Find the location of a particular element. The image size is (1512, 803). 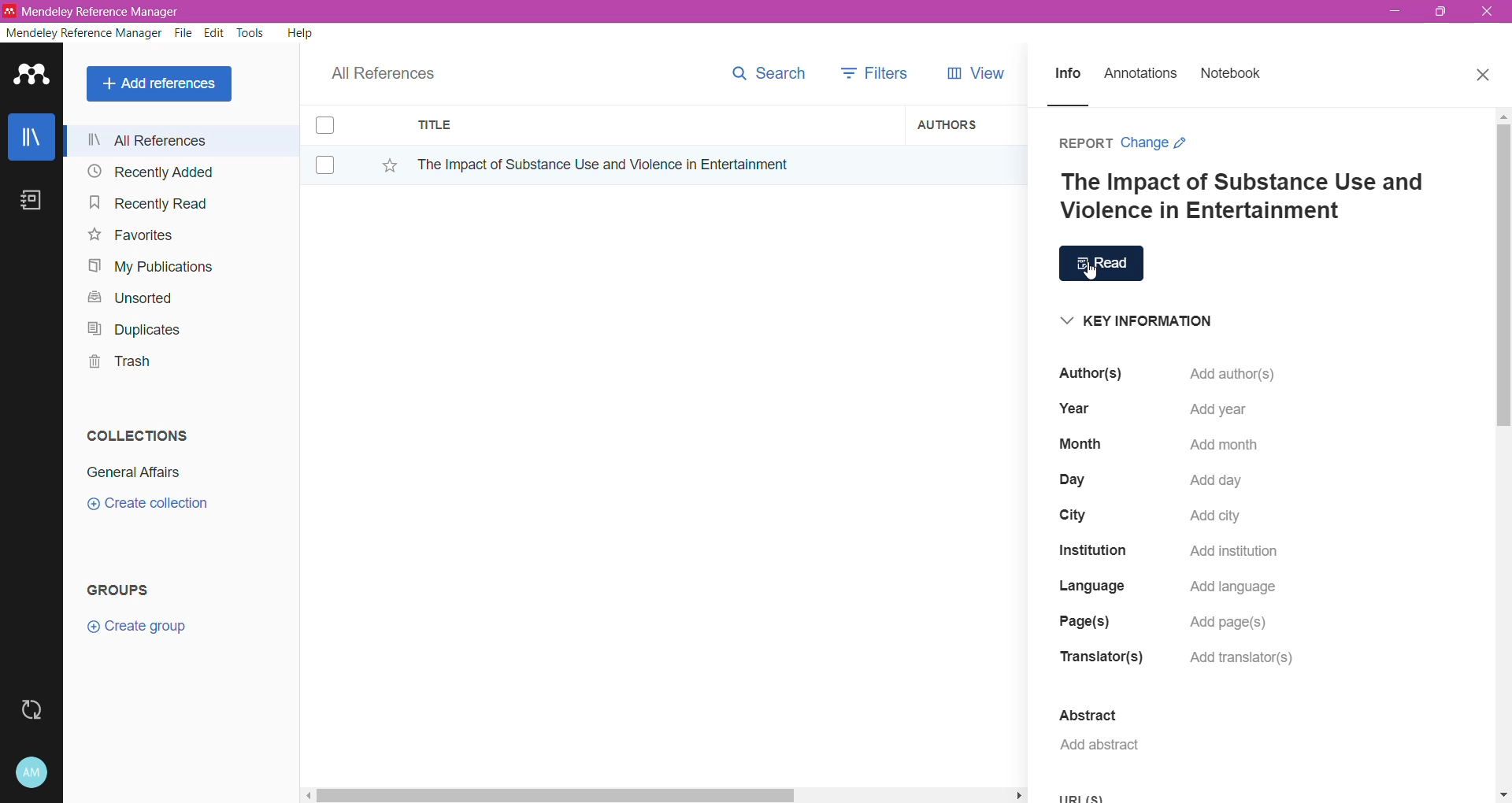

Last Sync is located at coordinates (38, 710).